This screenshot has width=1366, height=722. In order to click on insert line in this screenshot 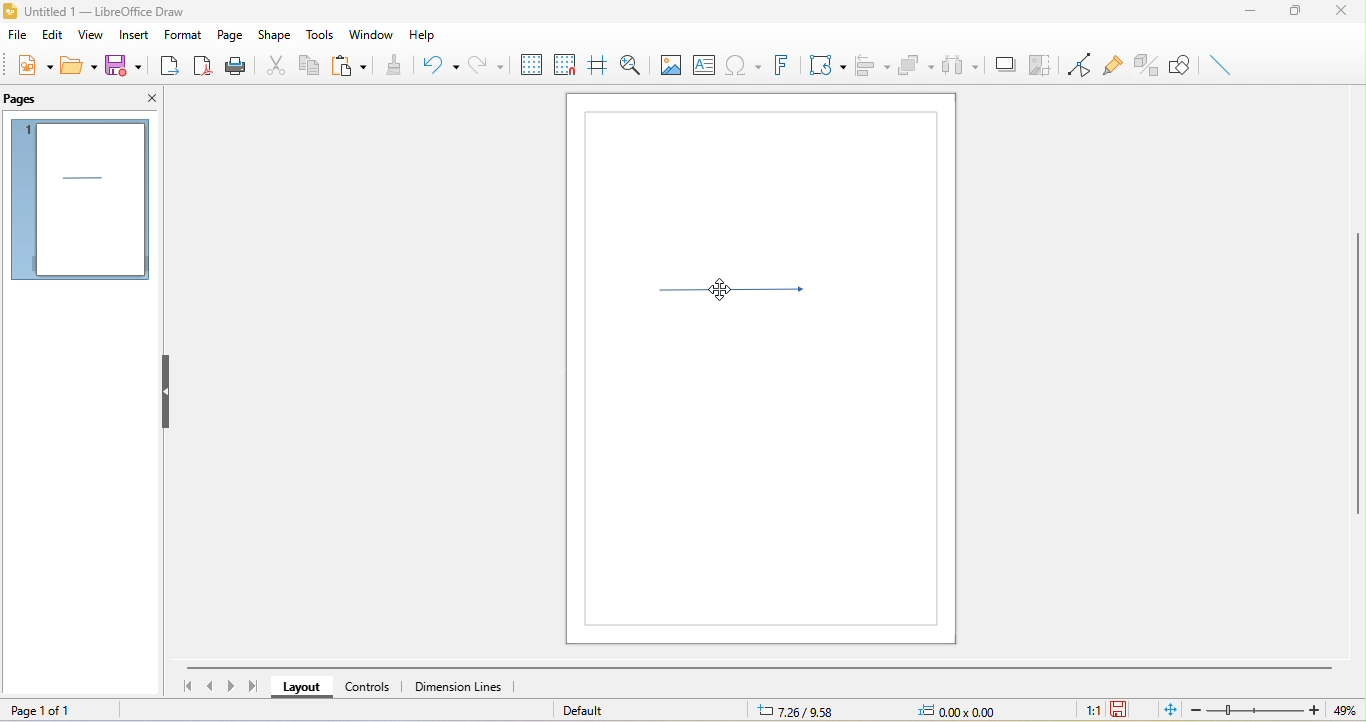, I will do `click(1221, 65)`.